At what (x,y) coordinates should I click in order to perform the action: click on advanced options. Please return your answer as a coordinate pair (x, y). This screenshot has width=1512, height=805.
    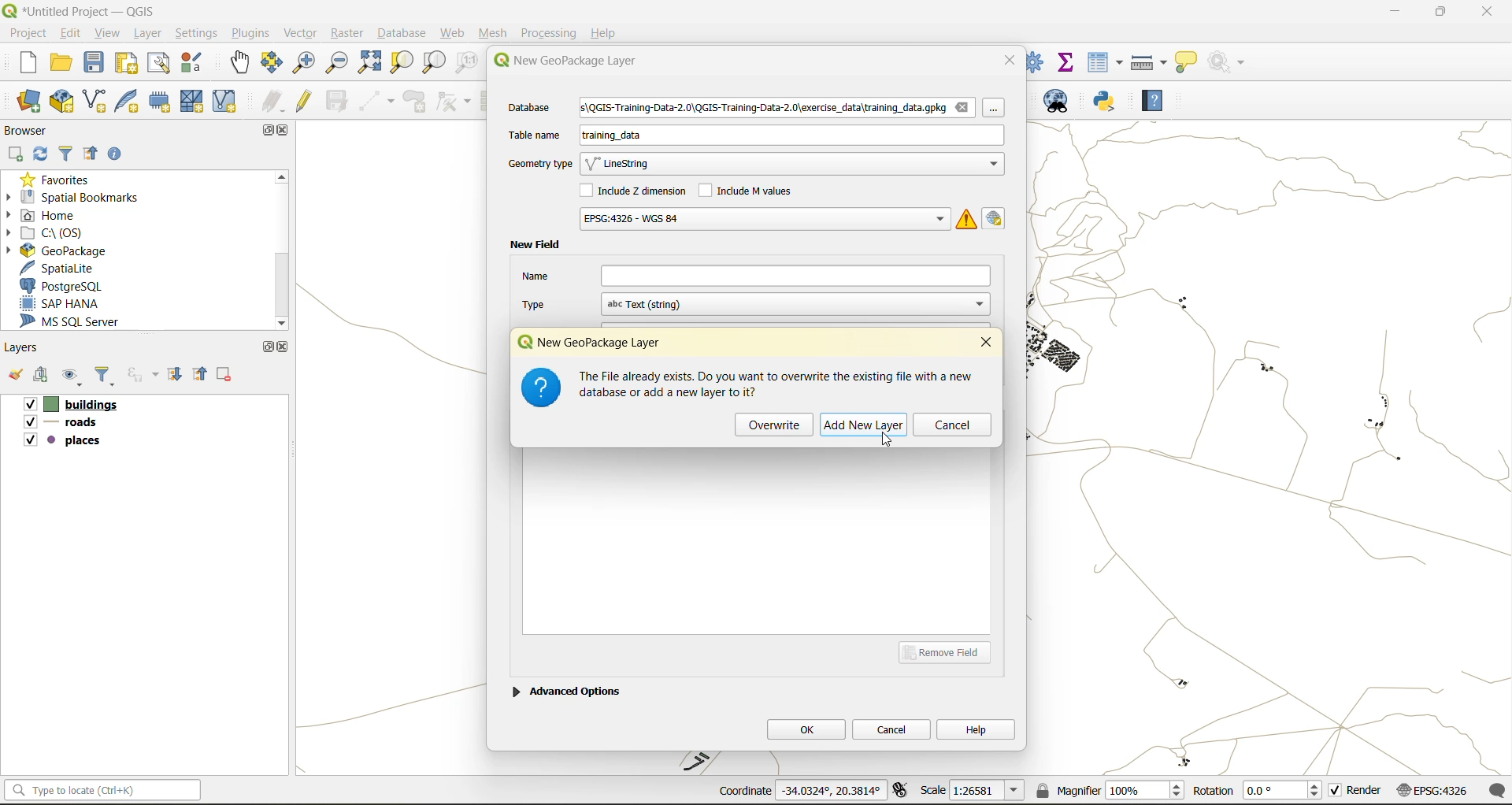
    Looking at the image, I should click on (566, 689).